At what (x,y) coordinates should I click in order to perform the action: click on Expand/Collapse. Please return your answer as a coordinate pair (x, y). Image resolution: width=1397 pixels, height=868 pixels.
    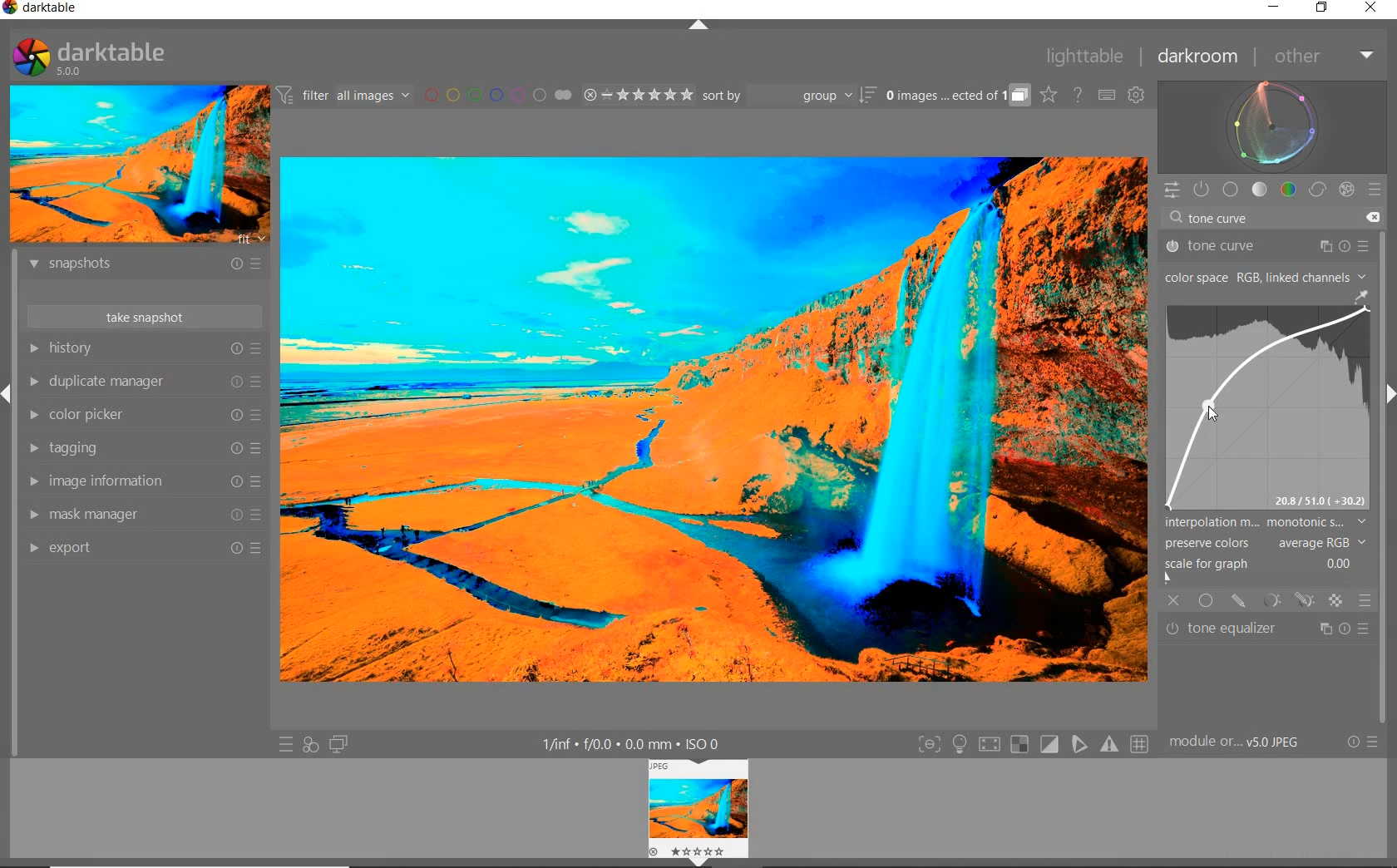
    Looking at the image, I should click on (700, 862).